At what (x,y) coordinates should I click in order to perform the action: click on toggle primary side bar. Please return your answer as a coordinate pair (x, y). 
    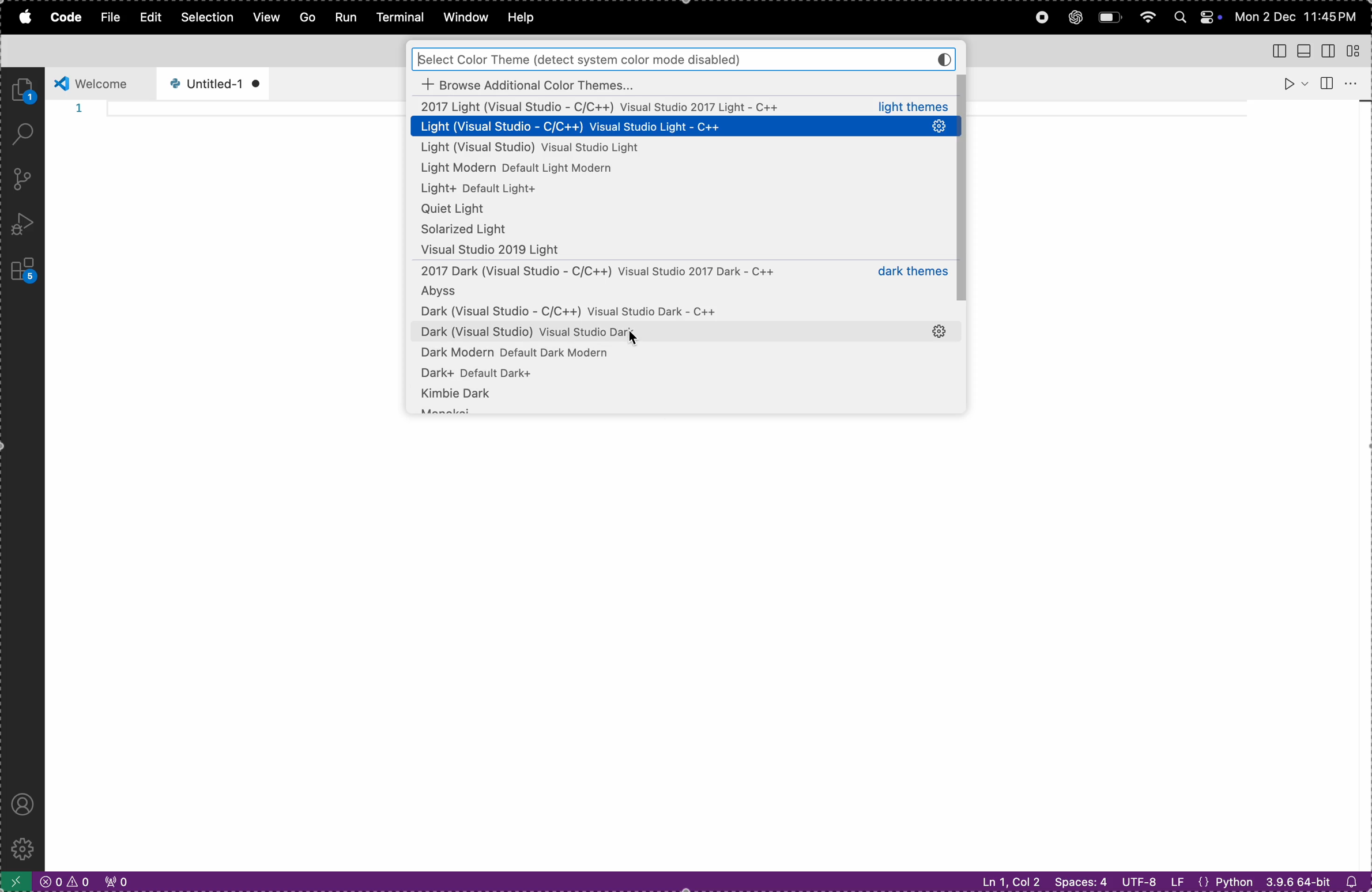
    Looking at the image, I should click on (1275, 50).